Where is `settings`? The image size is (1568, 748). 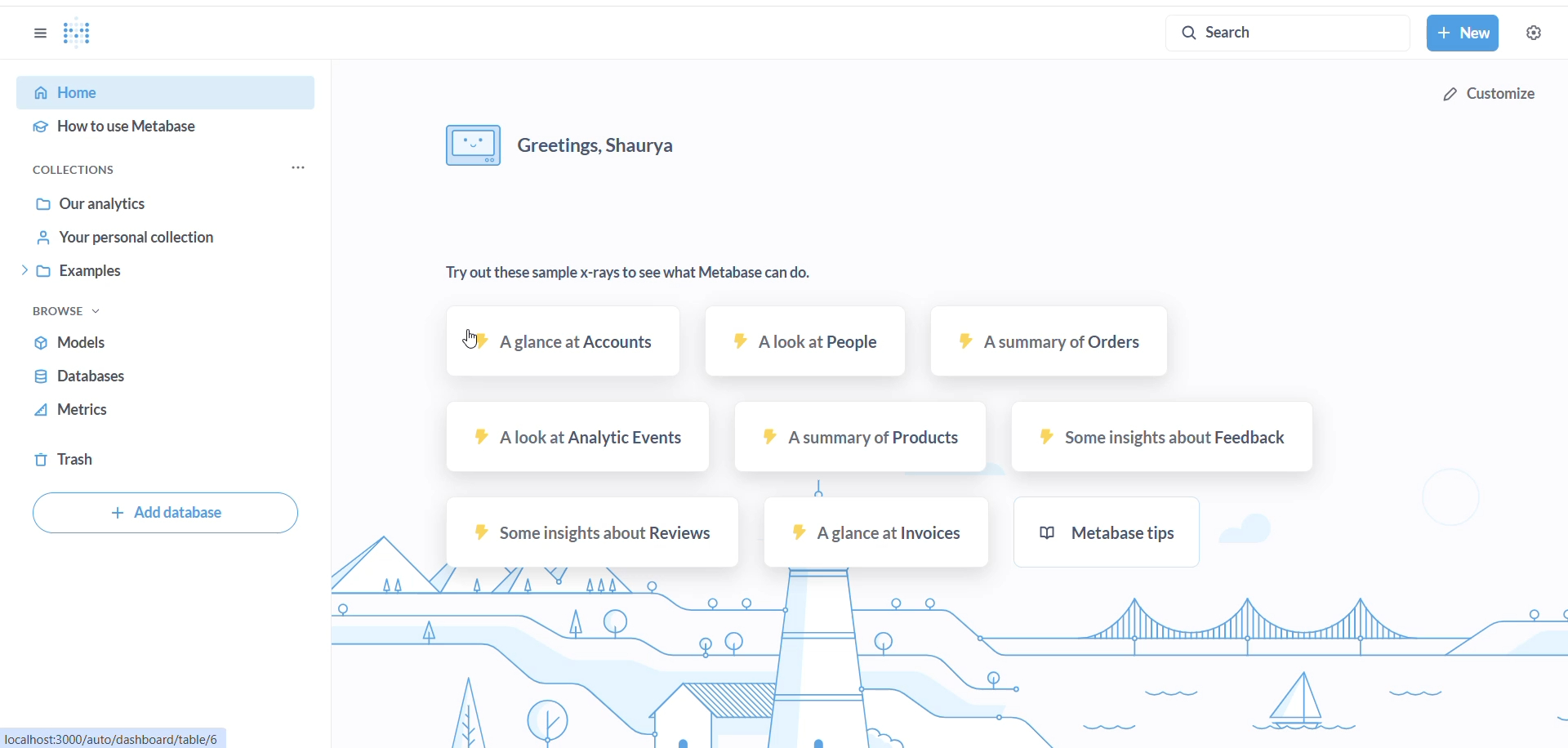 settings is located at coordinates (1535, 32).